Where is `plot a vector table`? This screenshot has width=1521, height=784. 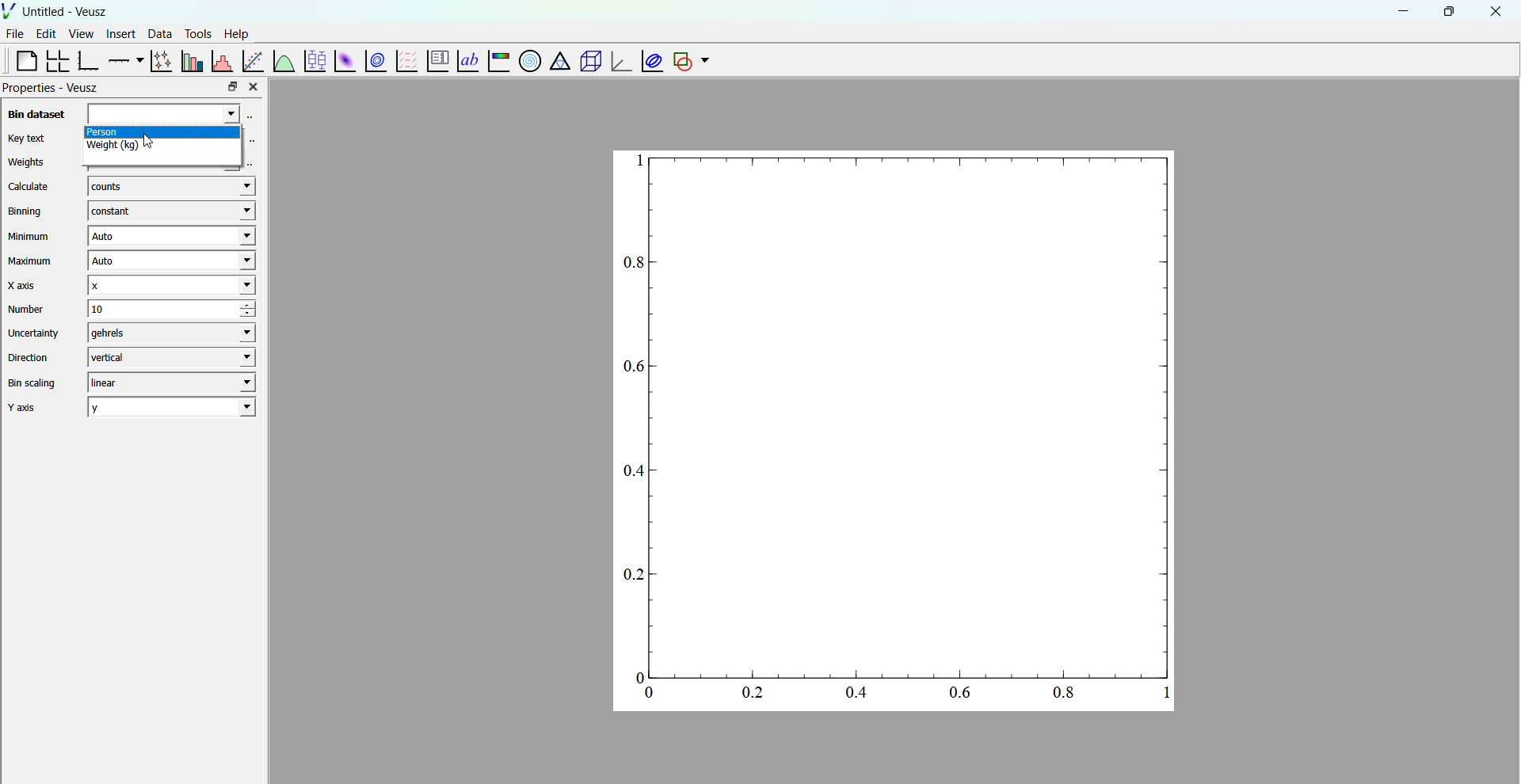
plot a vector table is located at coordinates (405, 60).